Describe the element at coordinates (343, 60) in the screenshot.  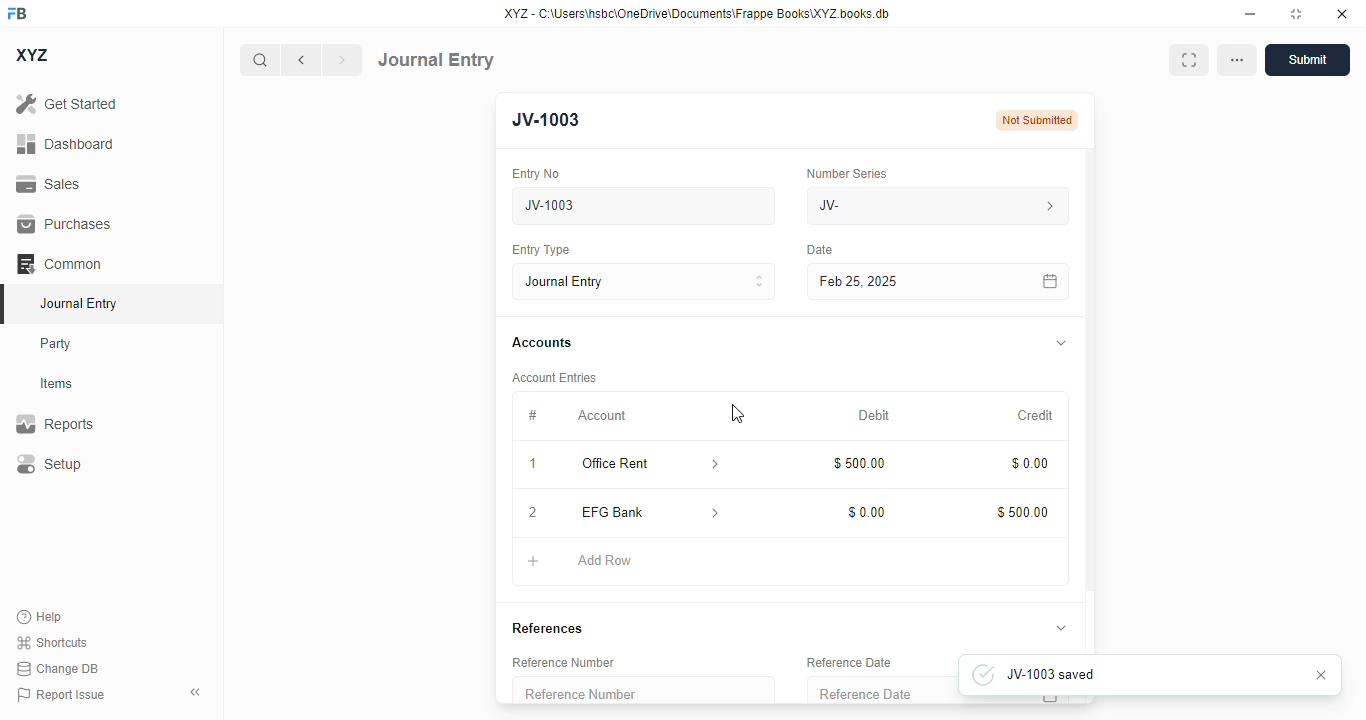
I see `next` at that location.